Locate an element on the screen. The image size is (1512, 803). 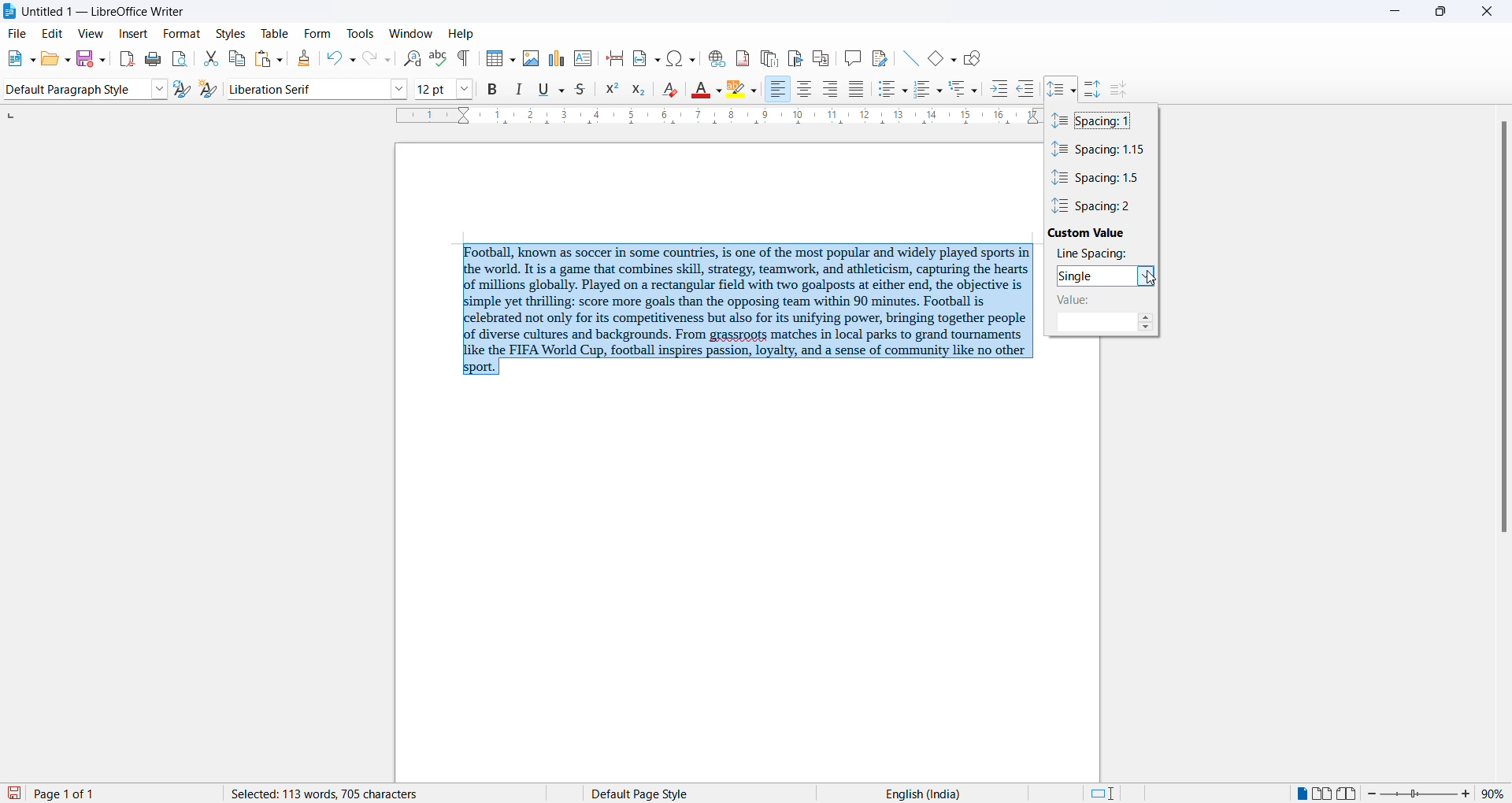
tools is located at coordinates (358, 32).